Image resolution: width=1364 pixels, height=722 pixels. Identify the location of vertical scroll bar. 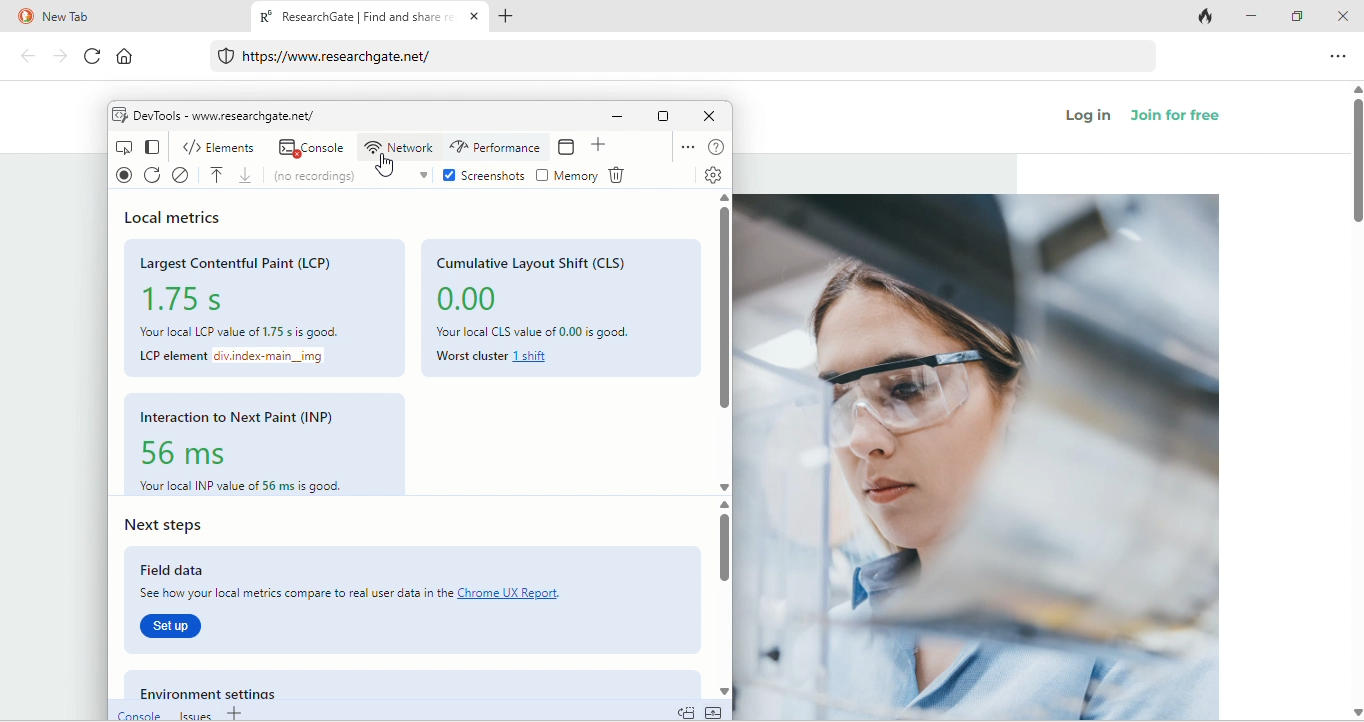
(1355, 165).